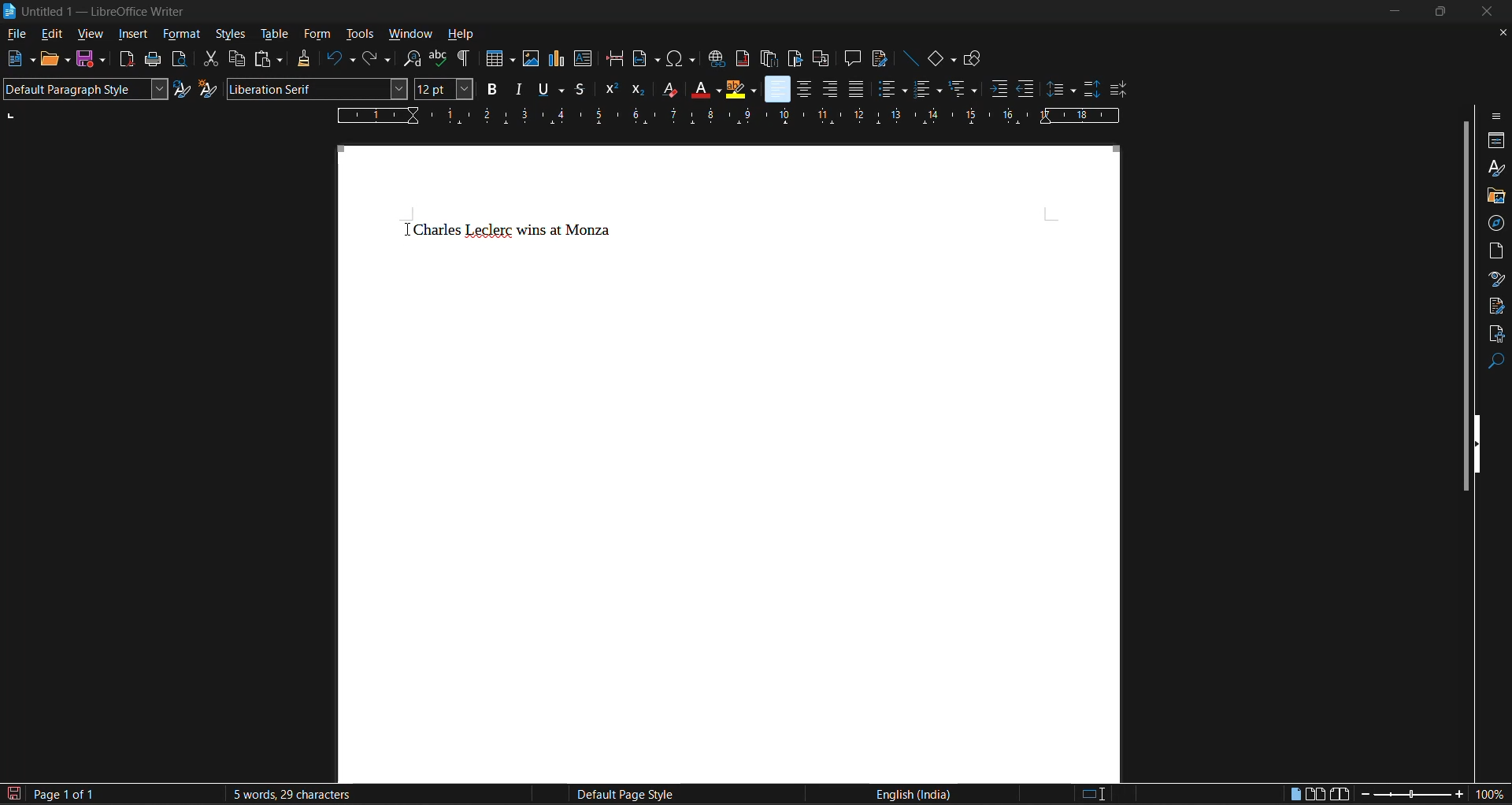 The image size is (1512, 805). I want to click on copy, so click(235, 58).